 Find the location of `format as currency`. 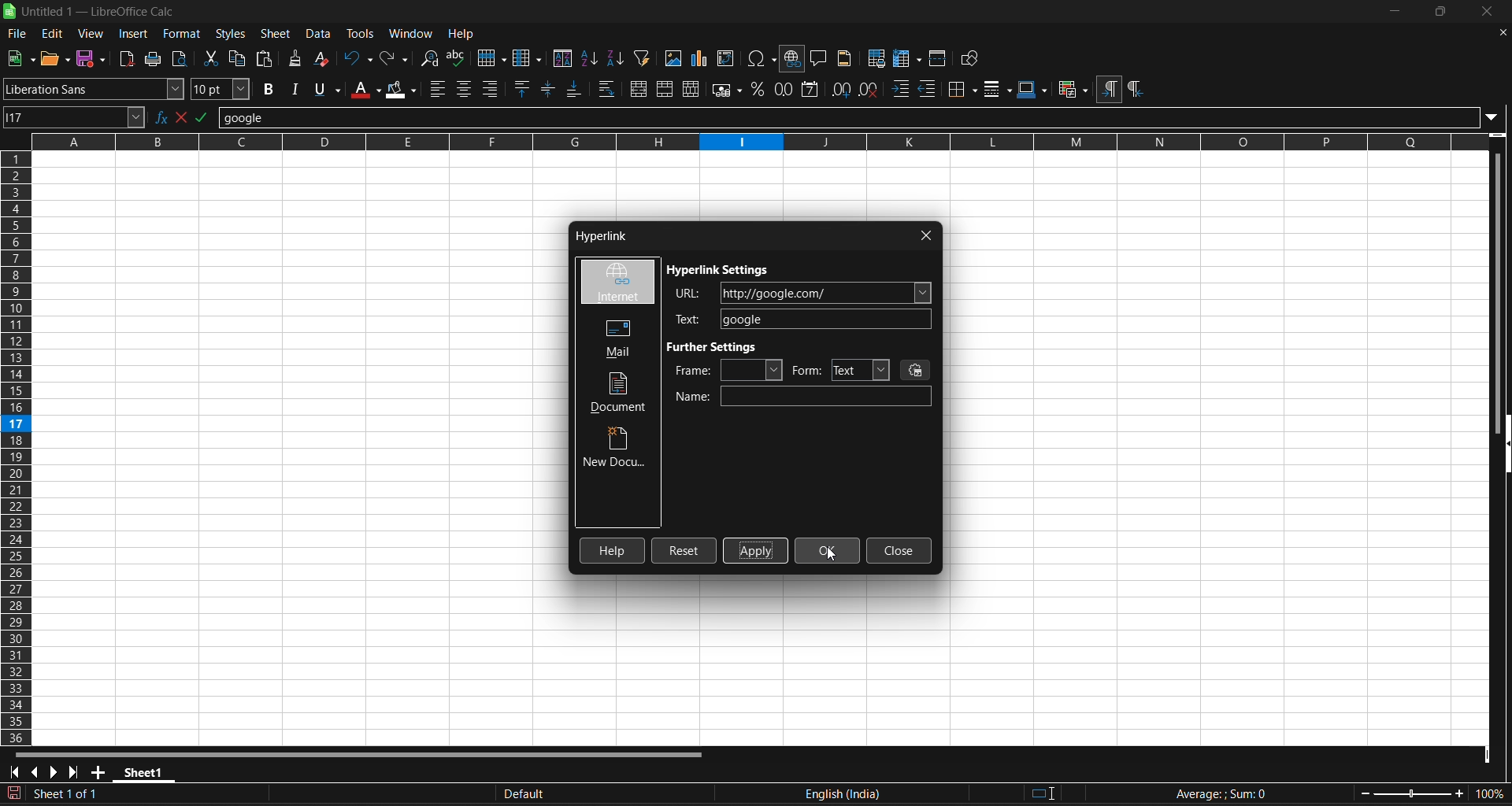

format as currency is located at coordinates (725, 89).